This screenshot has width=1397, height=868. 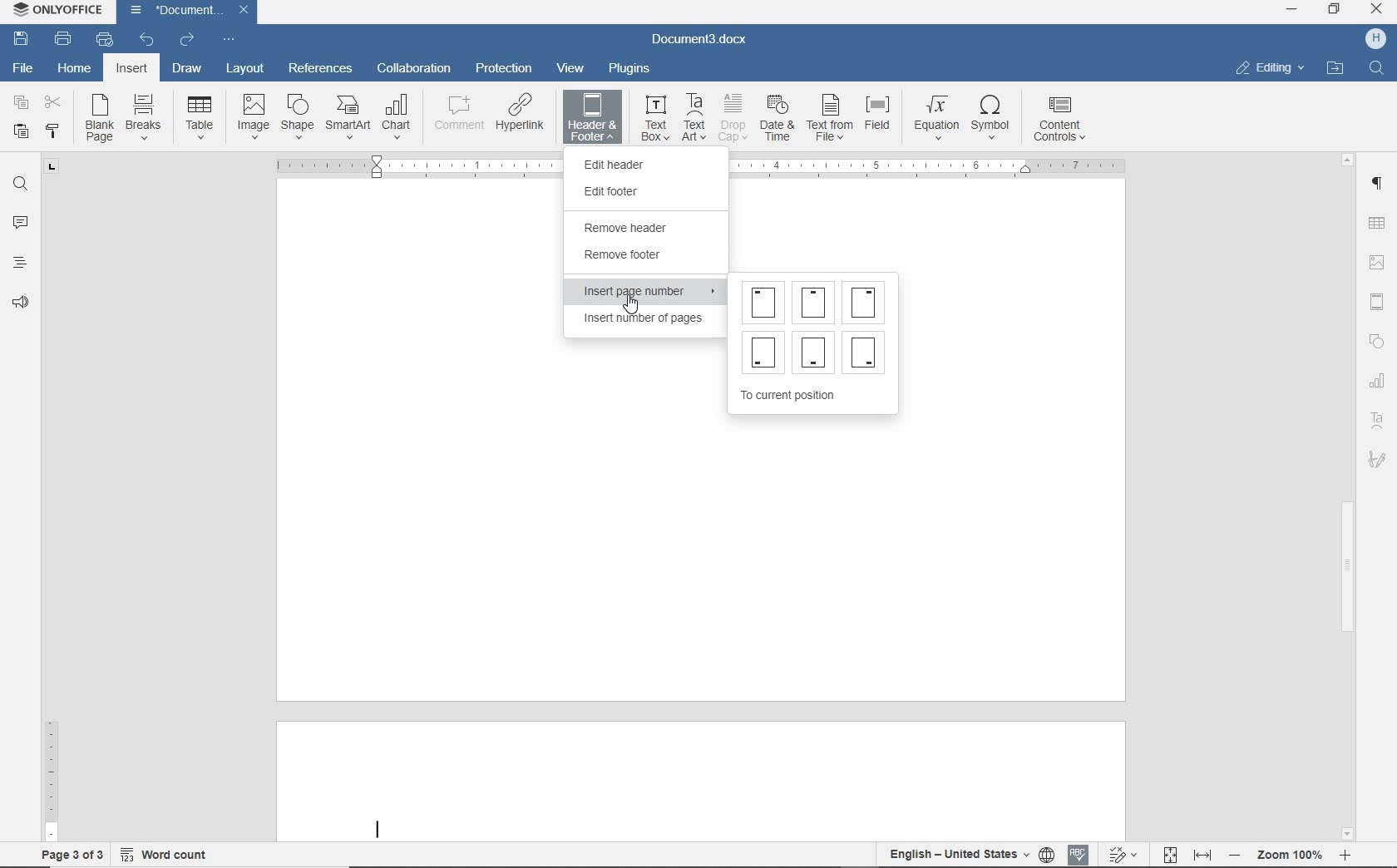 What do you see at coordinates (520, 118) in the screenshot?
I see `HYPERLINK` at bounding box center [520, 118].